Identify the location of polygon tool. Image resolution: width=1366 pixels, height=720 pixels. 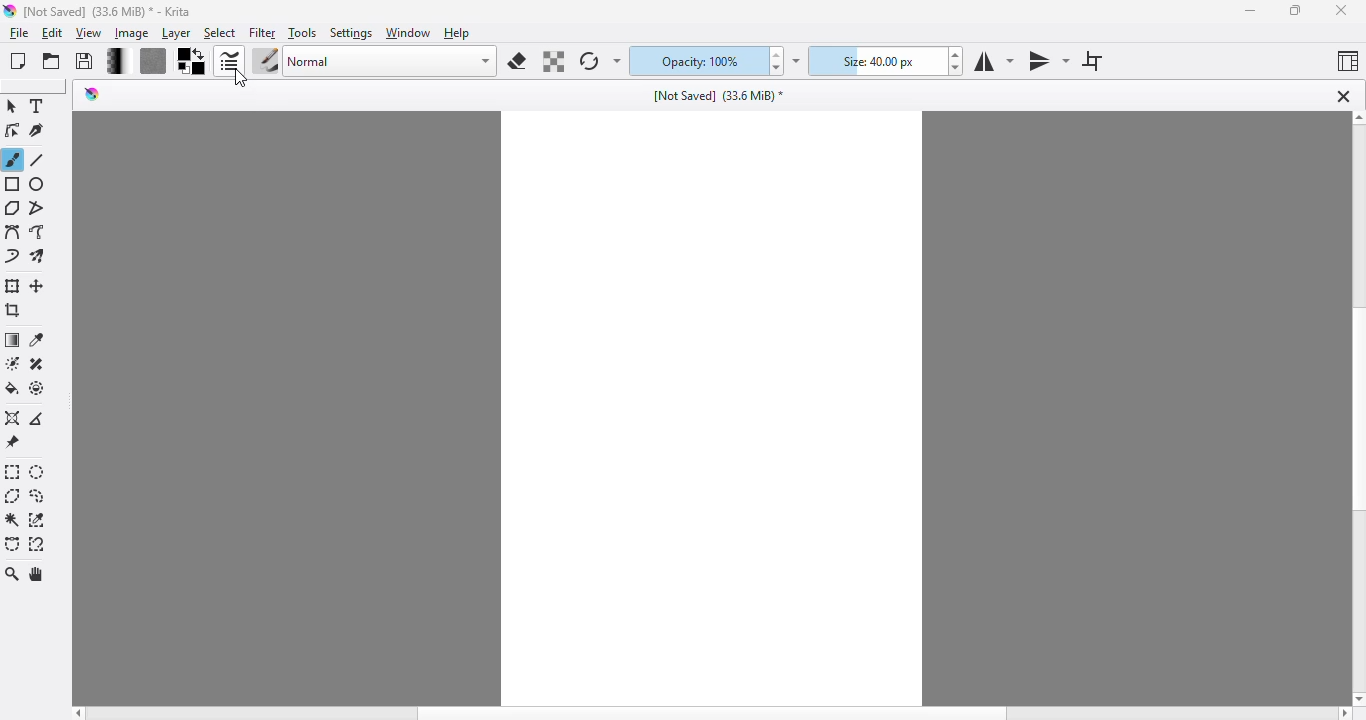
(12, 207).